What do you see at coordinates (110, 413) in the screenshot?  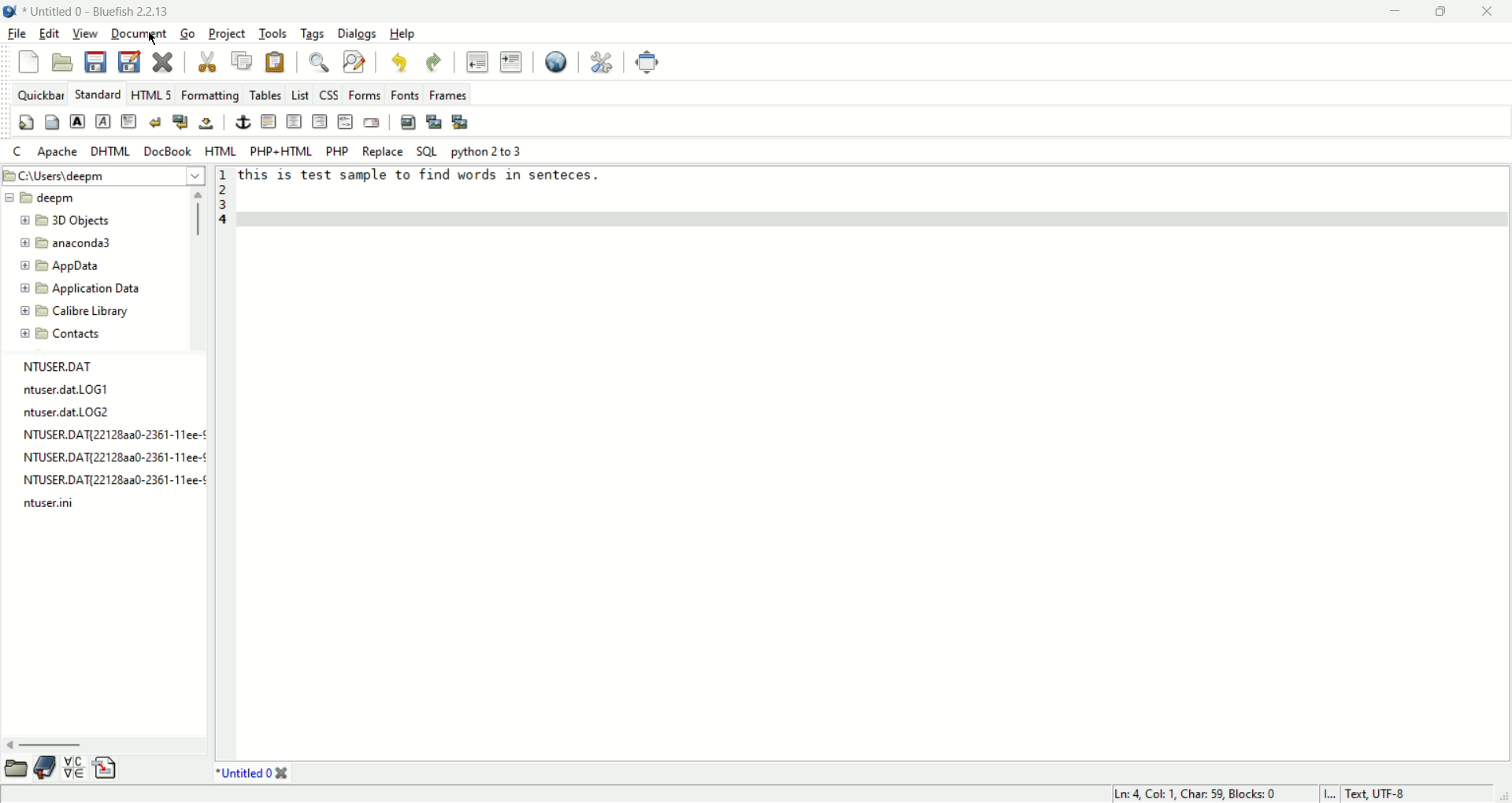 I see `ntuser.dat.LOG2` at bounding box center [110, 413].